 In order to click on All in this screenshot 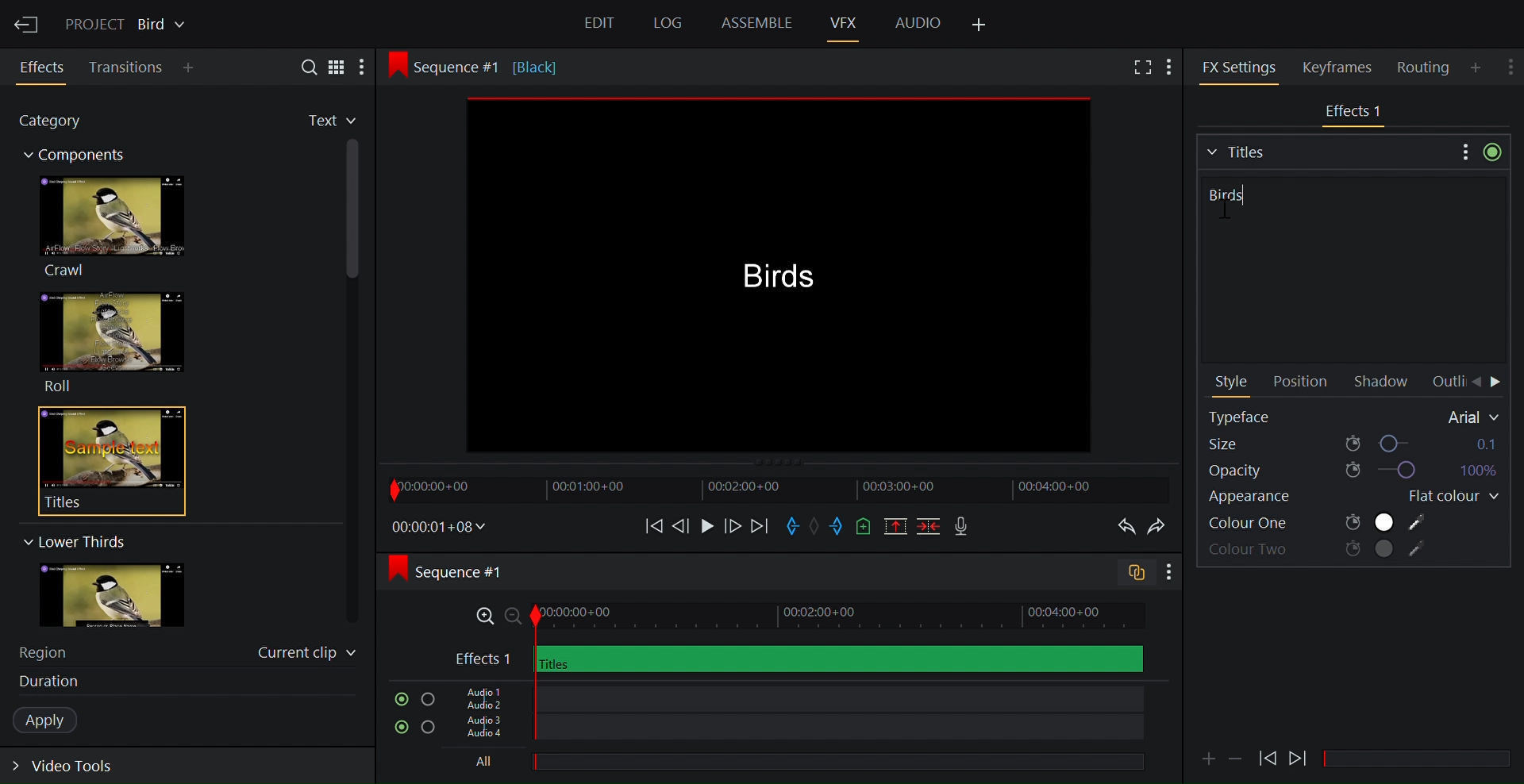, I will do `click(790, 763)`.